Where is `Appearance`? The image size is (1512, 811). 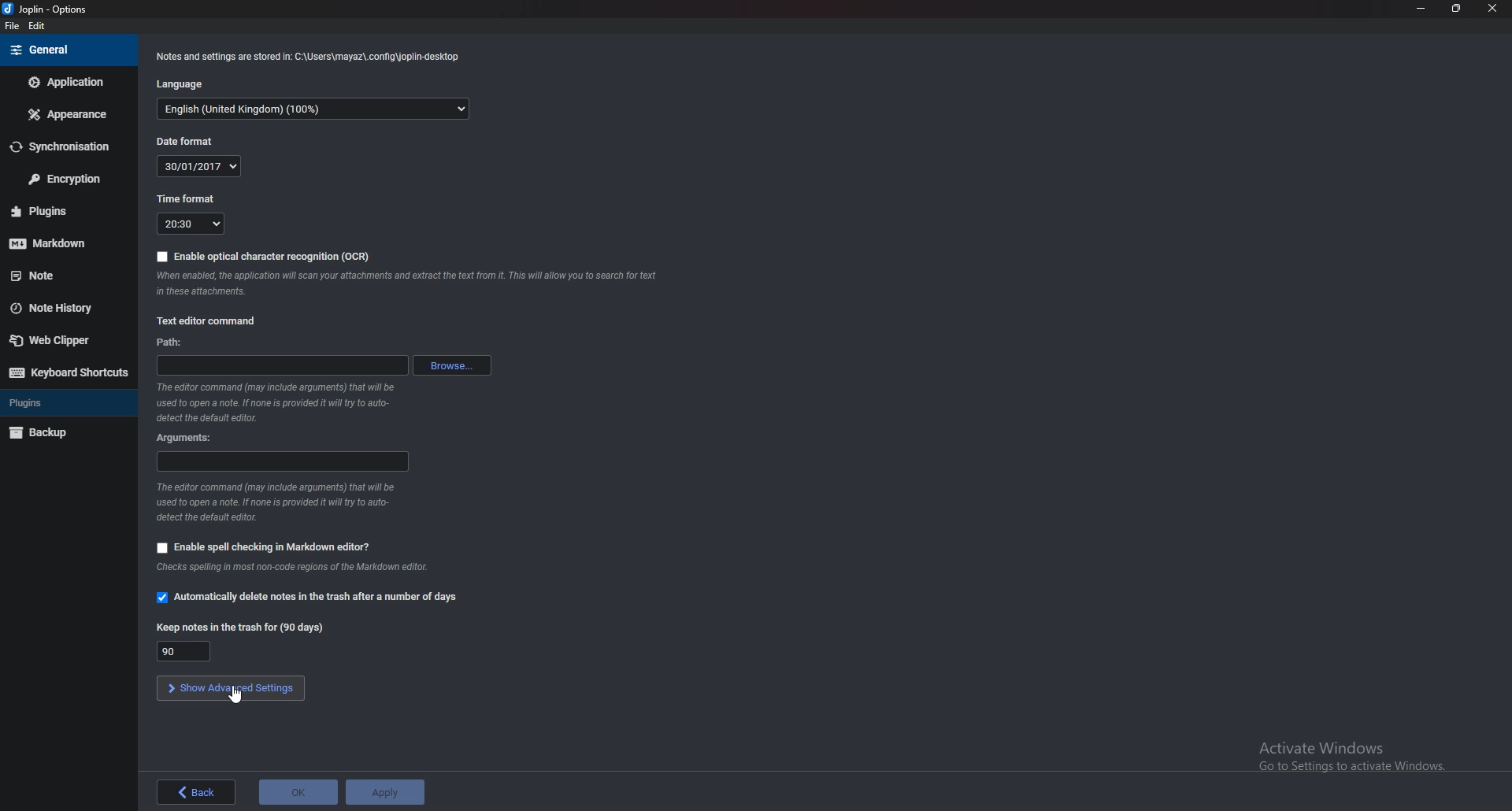
Appearance is located at coordinates (65, 116).